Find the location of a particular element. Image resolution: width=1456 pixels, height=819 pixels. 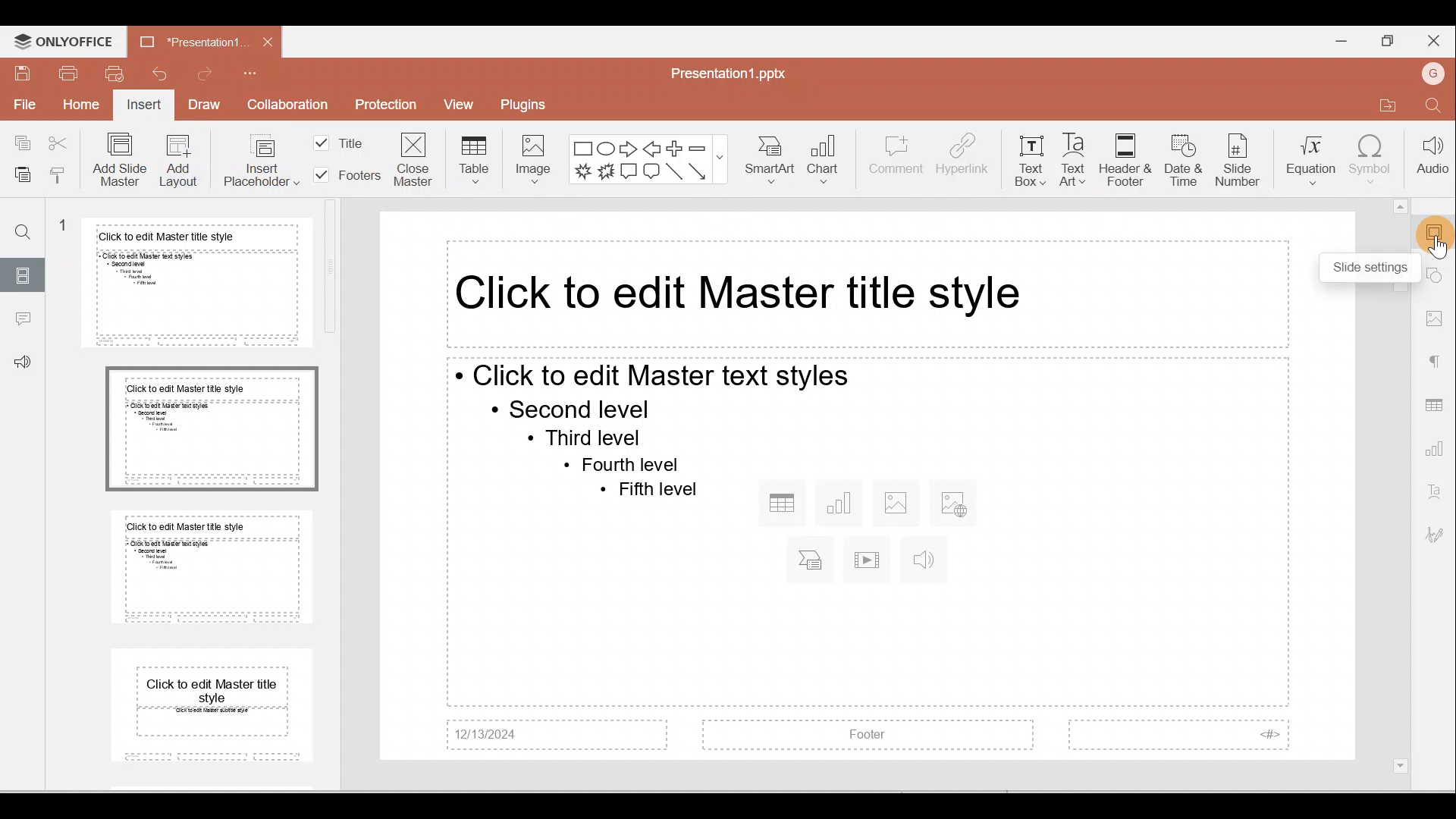

Paragraph settings is located at coordinates (1437, 359).